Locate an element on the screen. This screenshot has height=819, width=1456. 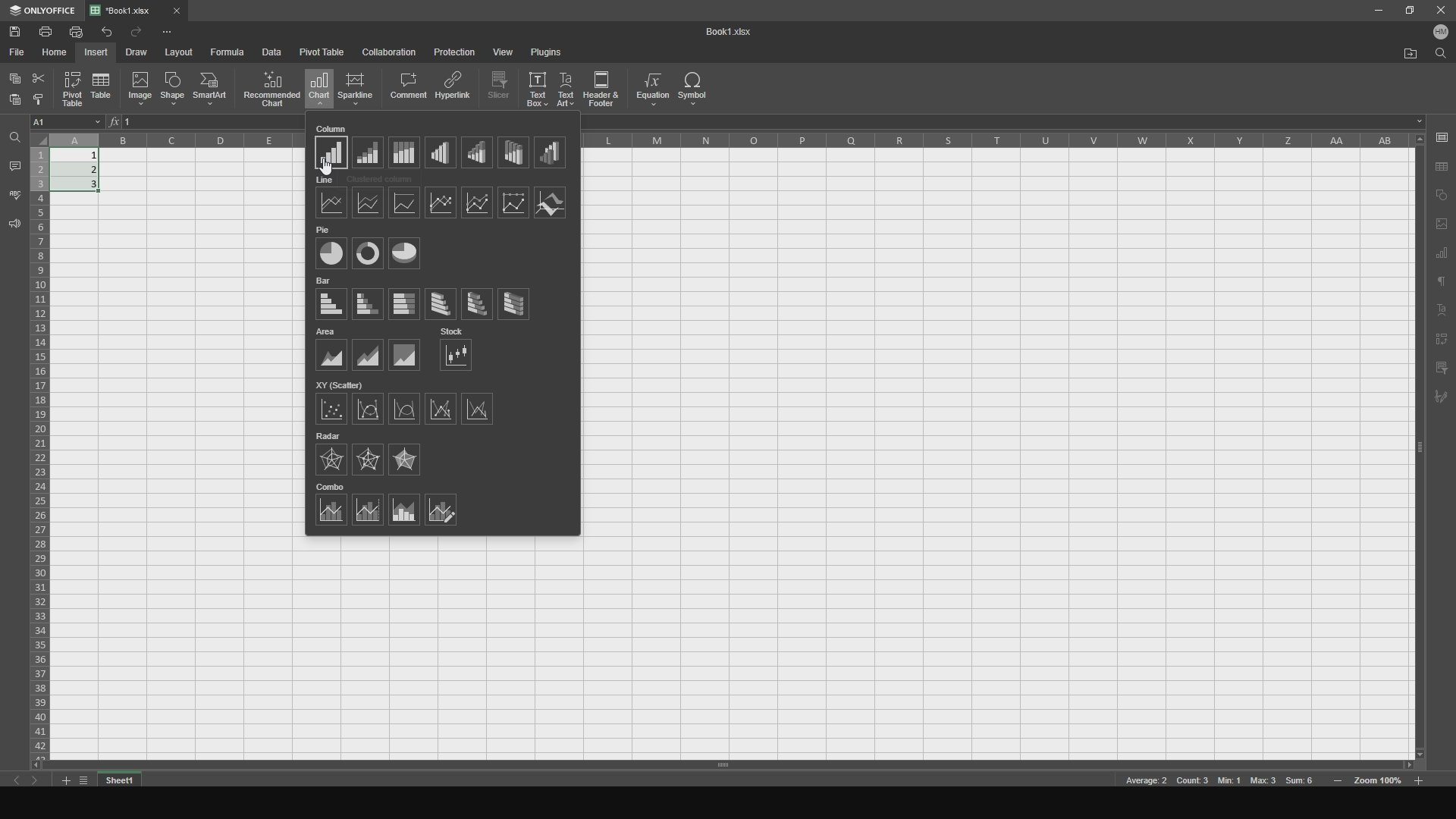
equation is located at coordinates (651, 91).